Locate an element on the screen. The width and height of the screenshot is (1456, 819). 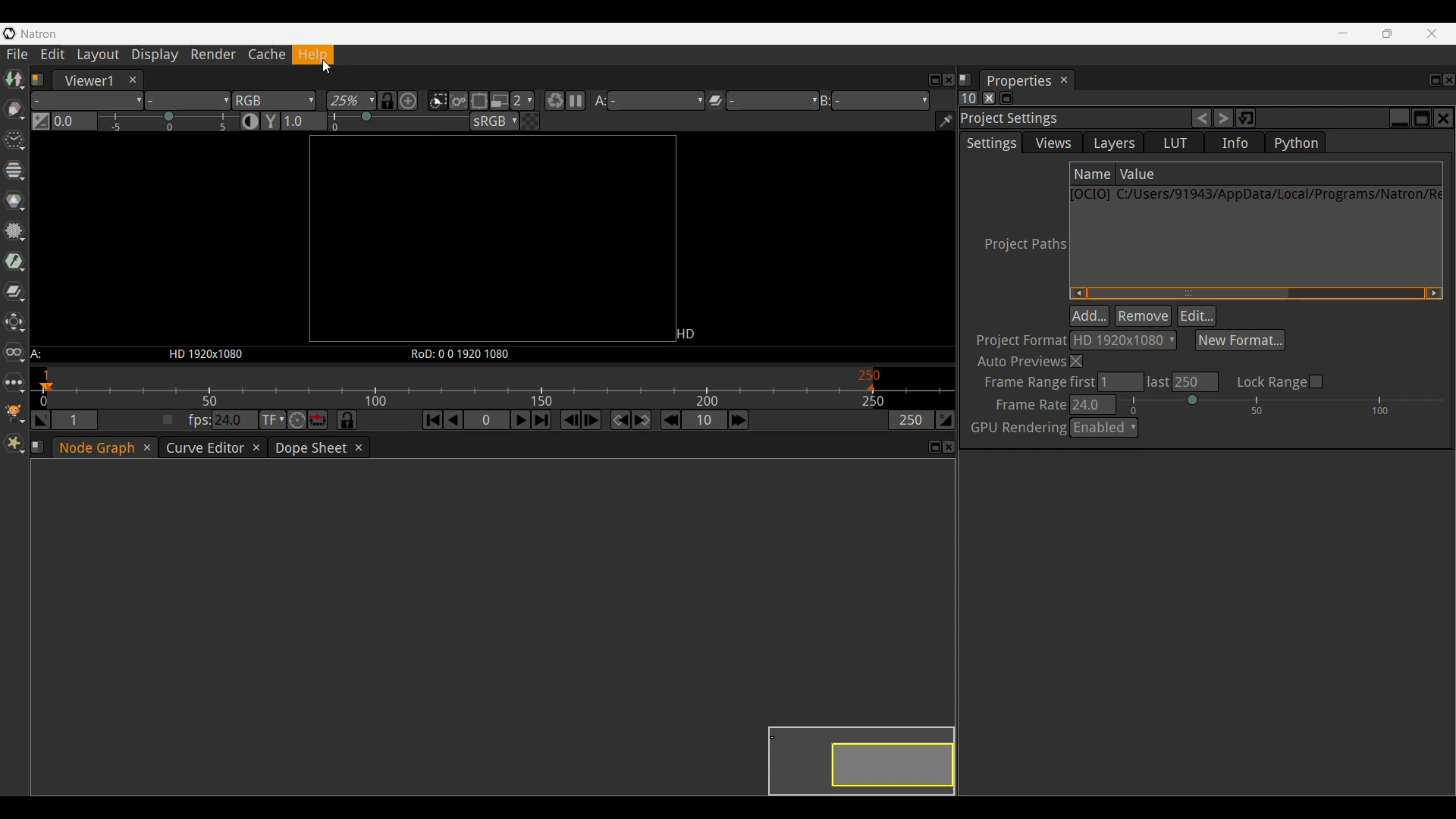
Next keyframe is located at coordinates (642, 420).